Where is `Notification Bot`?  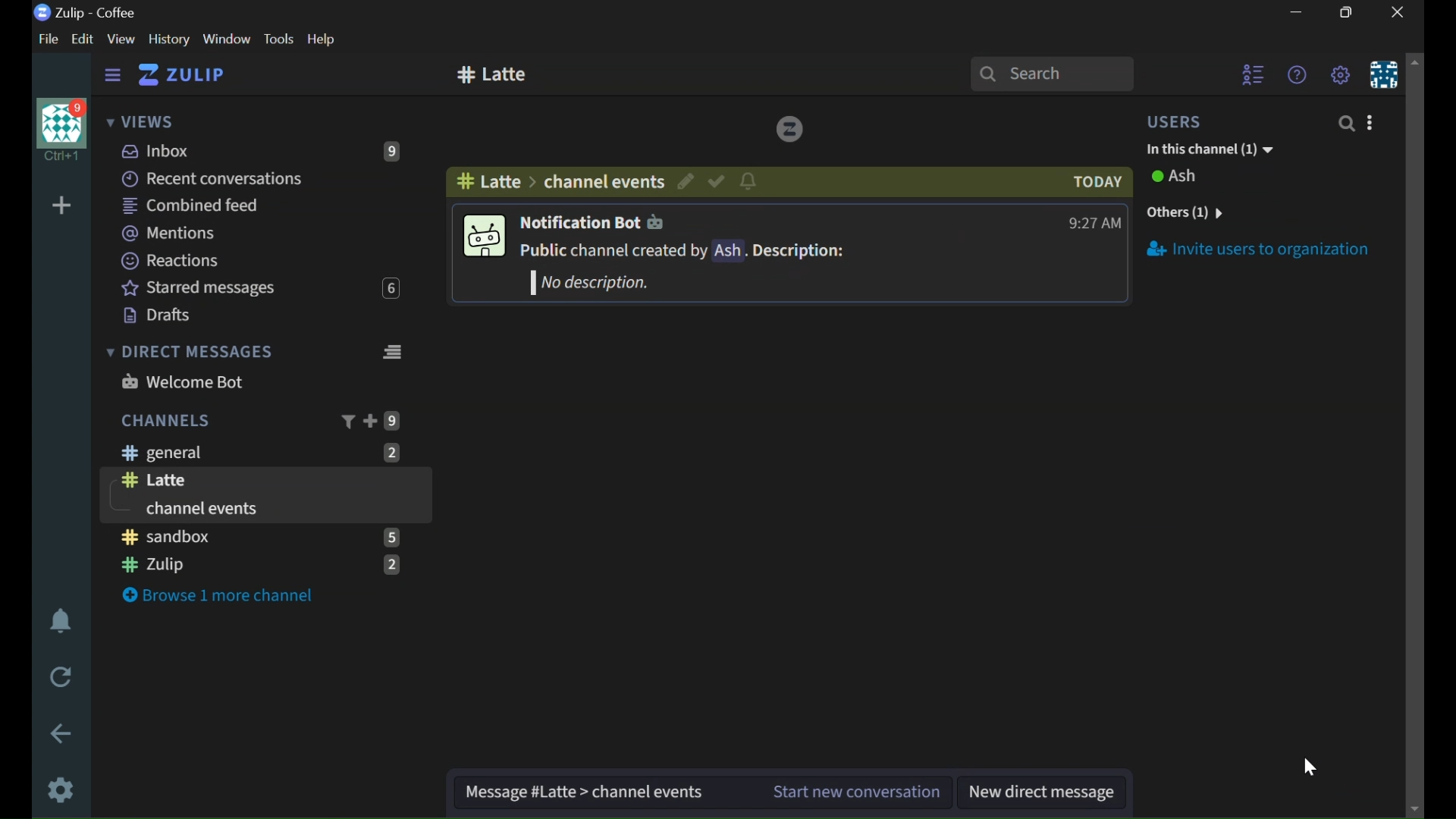
Notification Bot is located at coordinates (591, 222).